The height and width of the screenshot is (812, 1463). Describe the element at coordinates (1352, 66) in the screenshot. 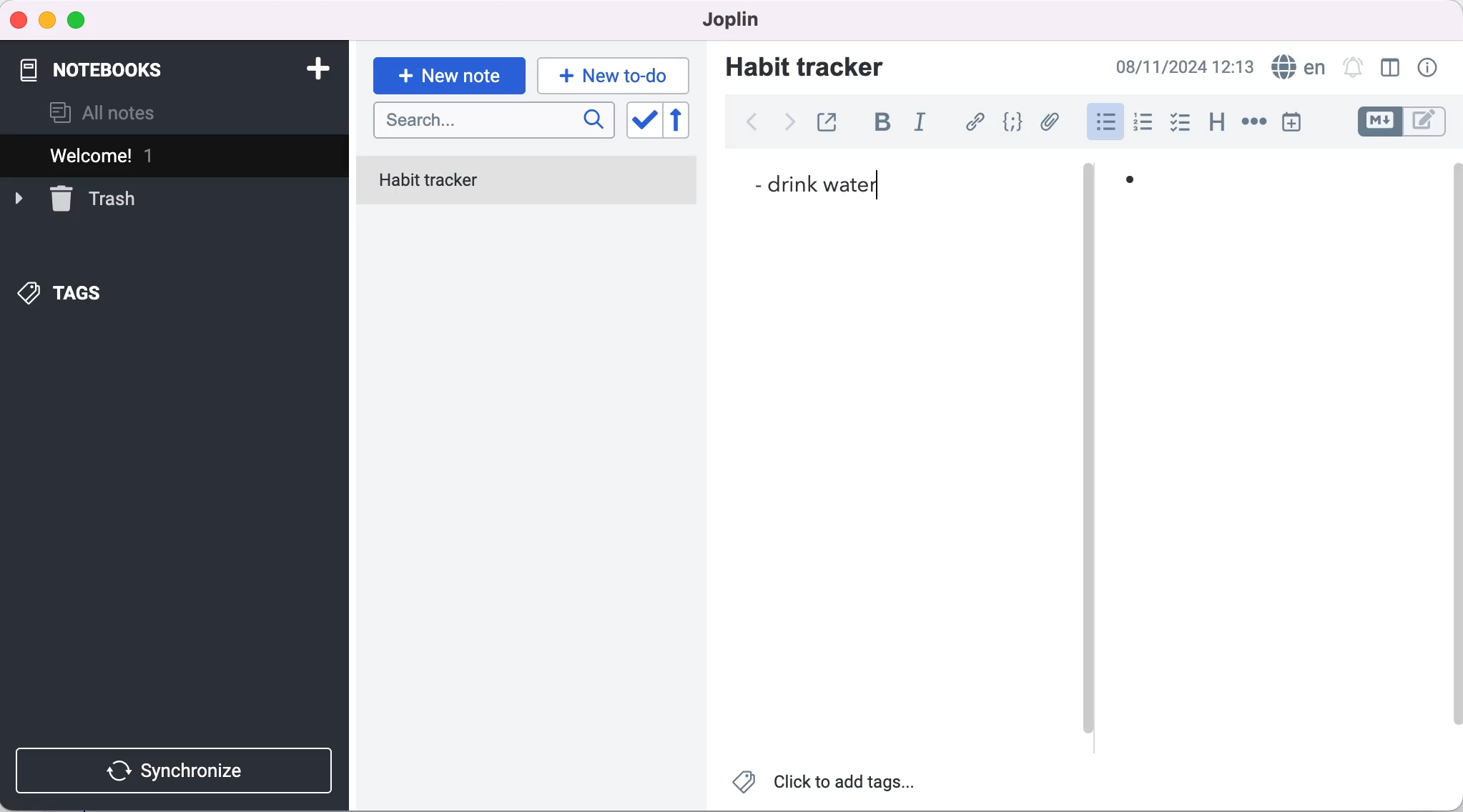

I see `set alarm` at that location.